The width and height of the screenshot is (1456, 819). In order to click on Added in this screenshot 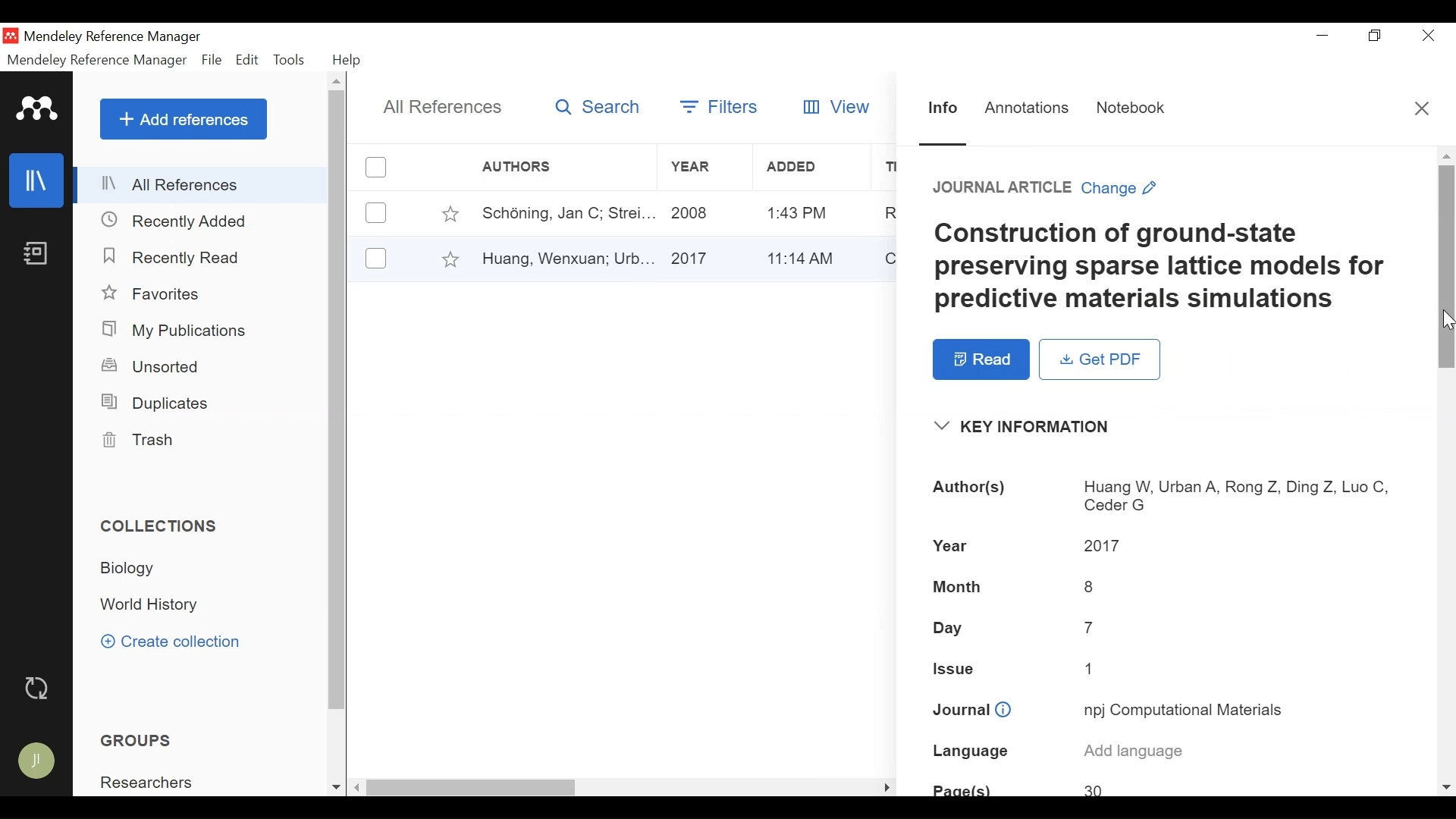, I will do `click(807, 256)`.